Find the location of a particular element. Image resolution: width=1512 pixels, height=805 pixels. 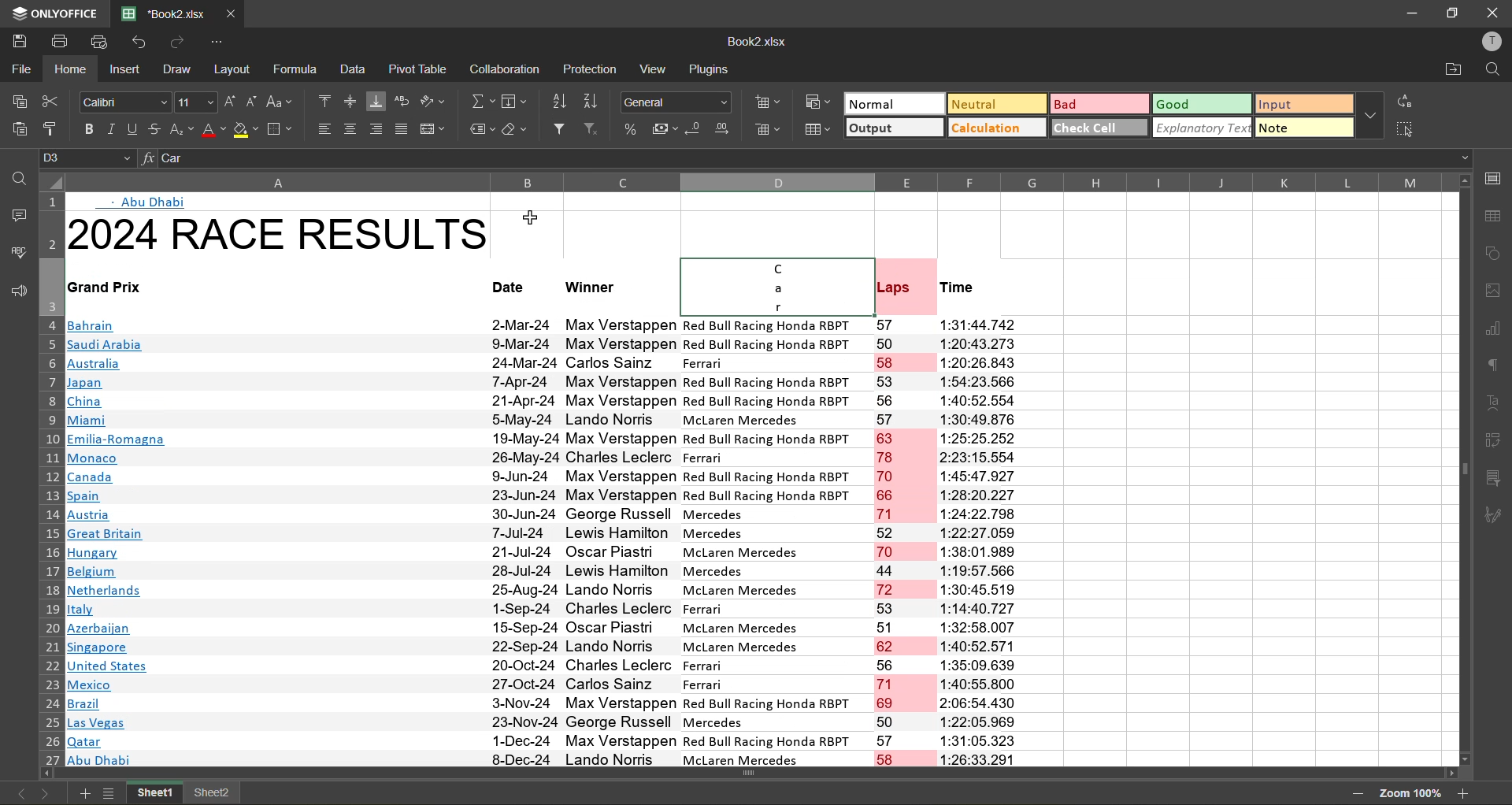

change case is located at coordinates (280, 102).